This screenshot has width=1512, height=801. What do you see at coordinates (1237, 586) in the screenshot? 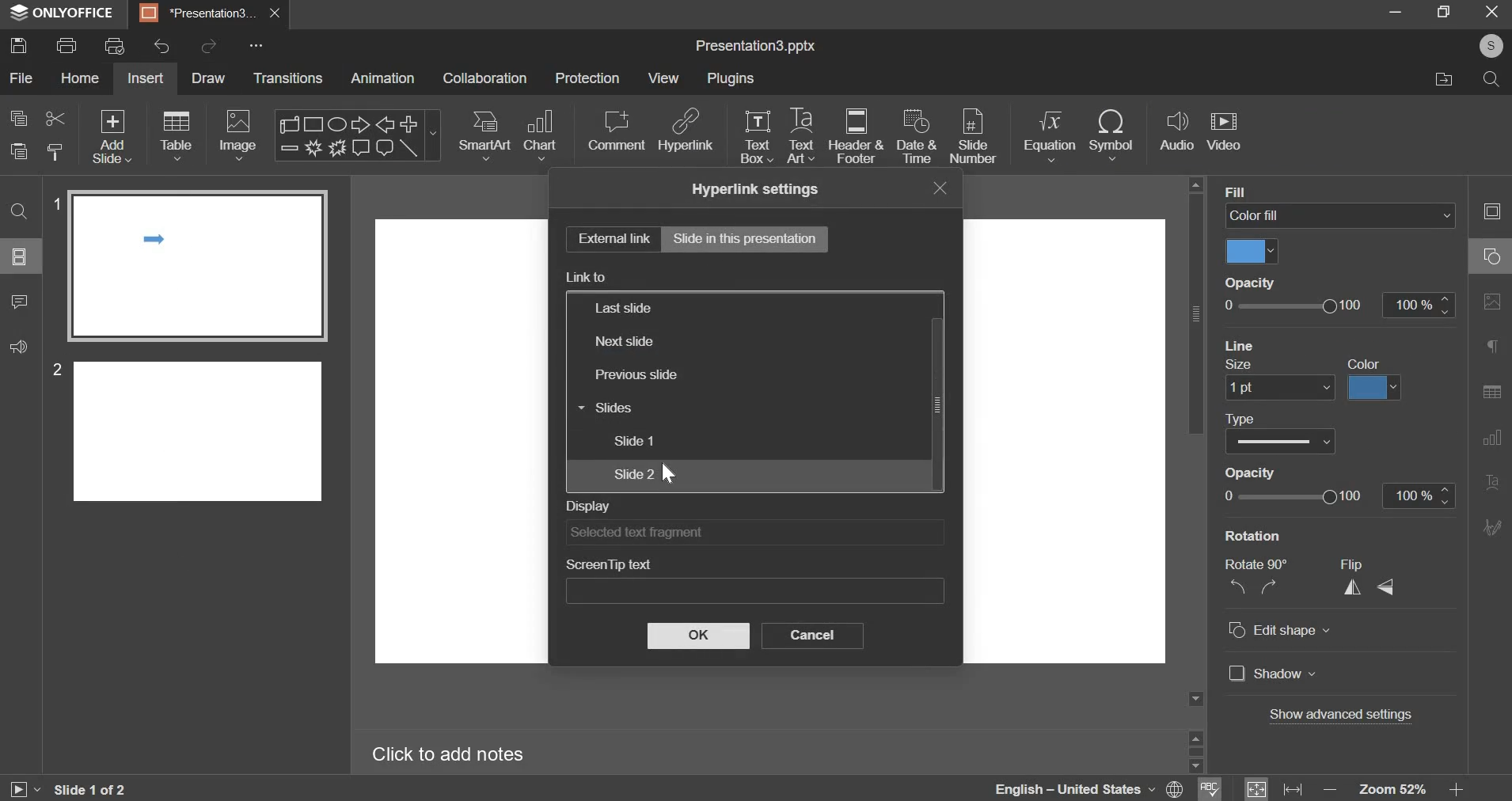
I see `rotate anti-clockwise` at bounding box center [1237, 586].